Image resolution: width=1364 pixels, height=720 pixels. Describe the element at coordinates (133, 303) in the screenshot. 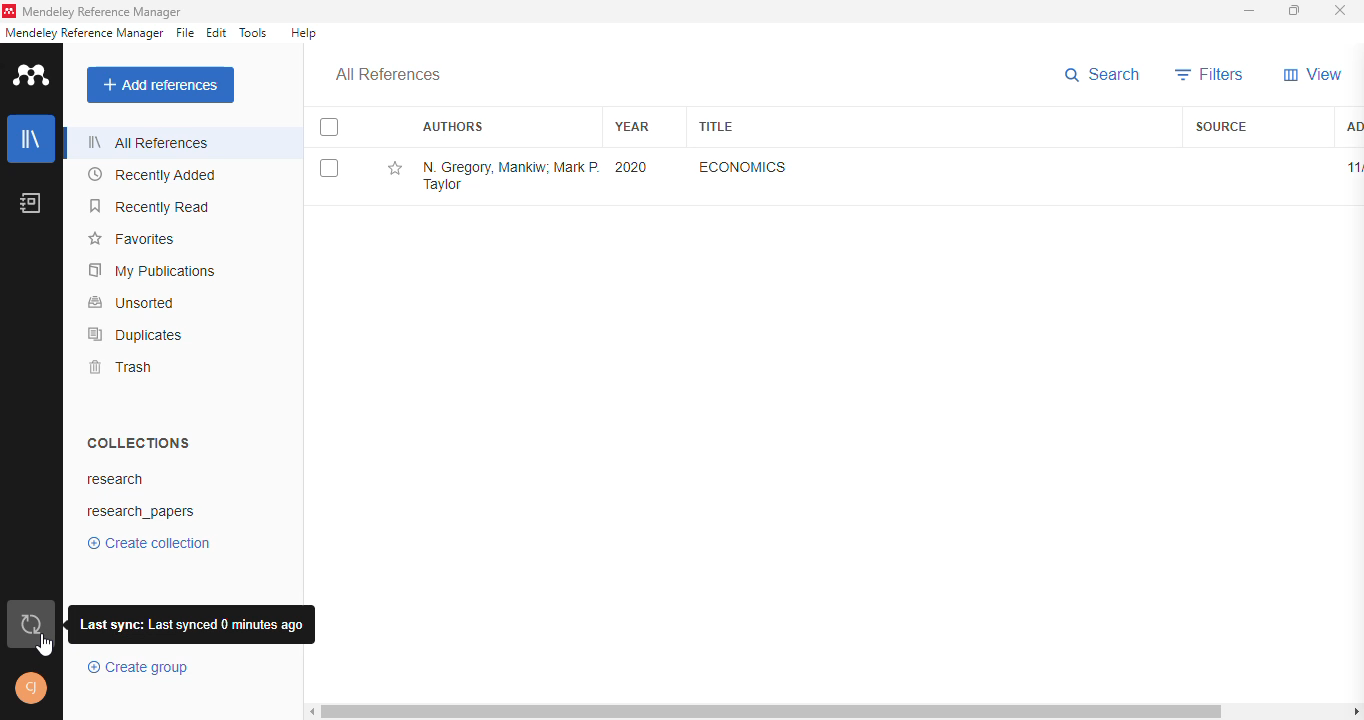

I see `unsorted` at that location.